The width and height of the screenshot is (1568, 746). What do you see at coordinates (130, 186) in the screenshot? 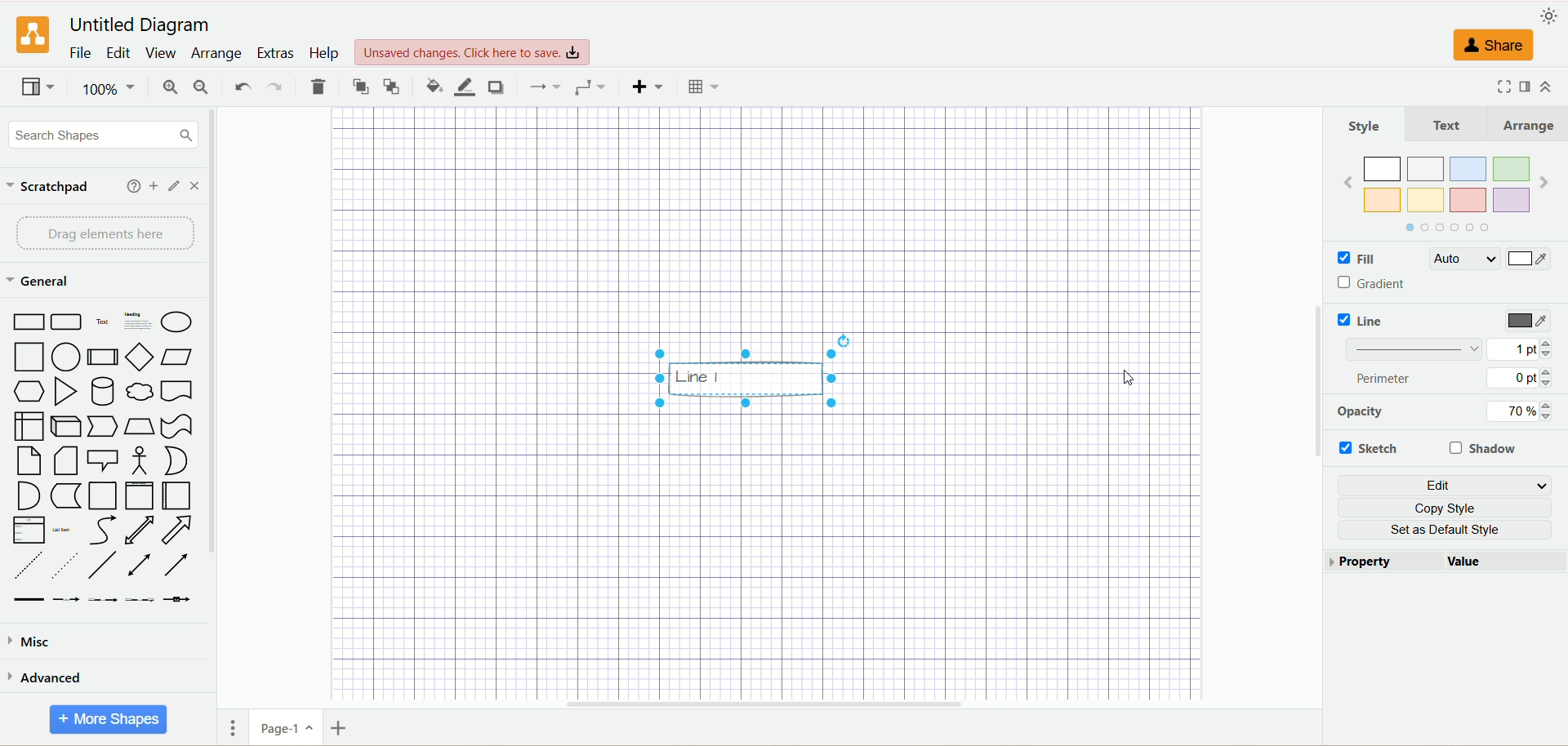
I see `add` at bounding box center [130, 186].